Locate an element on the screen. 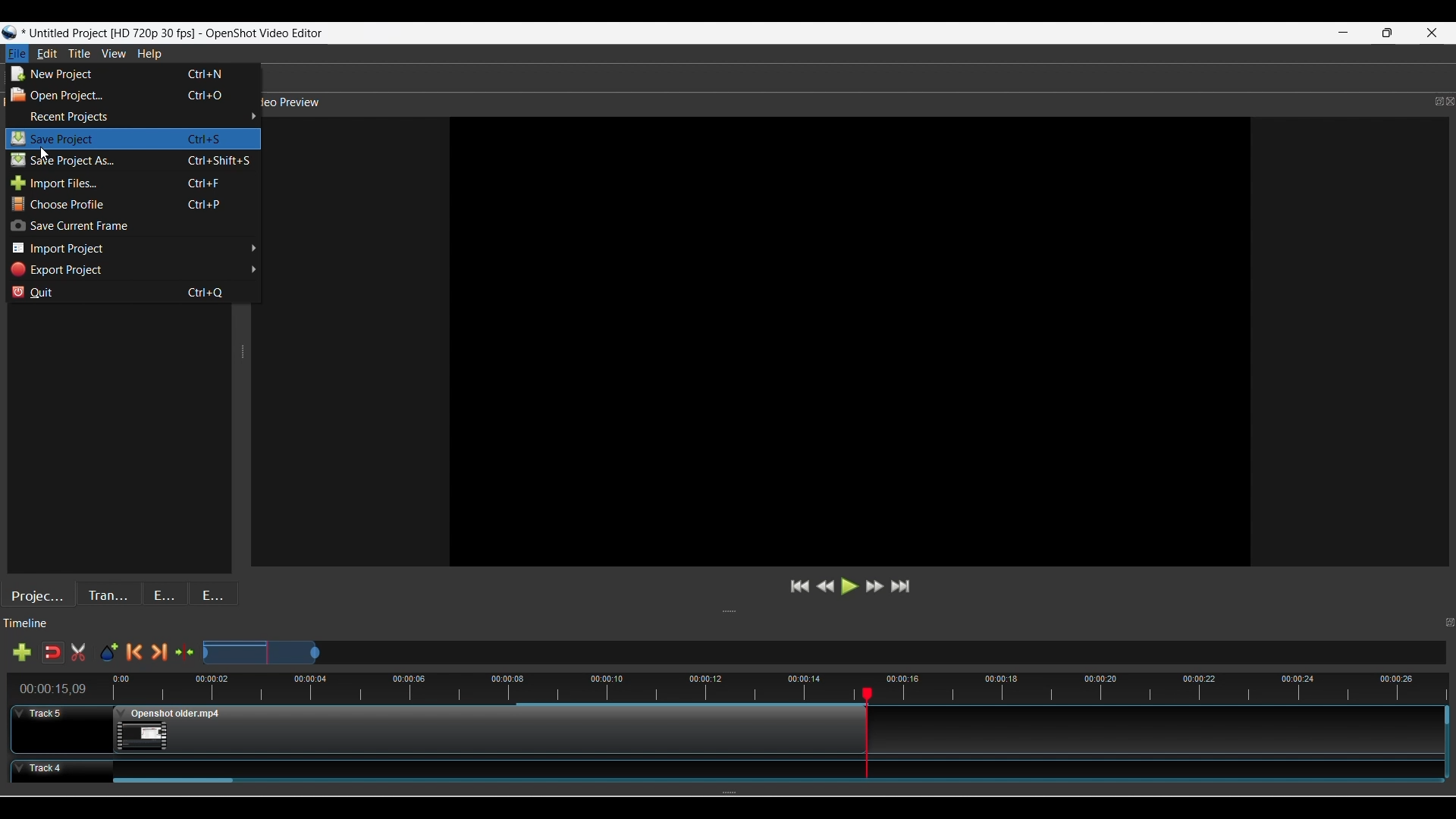 This screenshot has height=819, width=1456. Cursor clicking on Save project is located at coordinates (46, 153).